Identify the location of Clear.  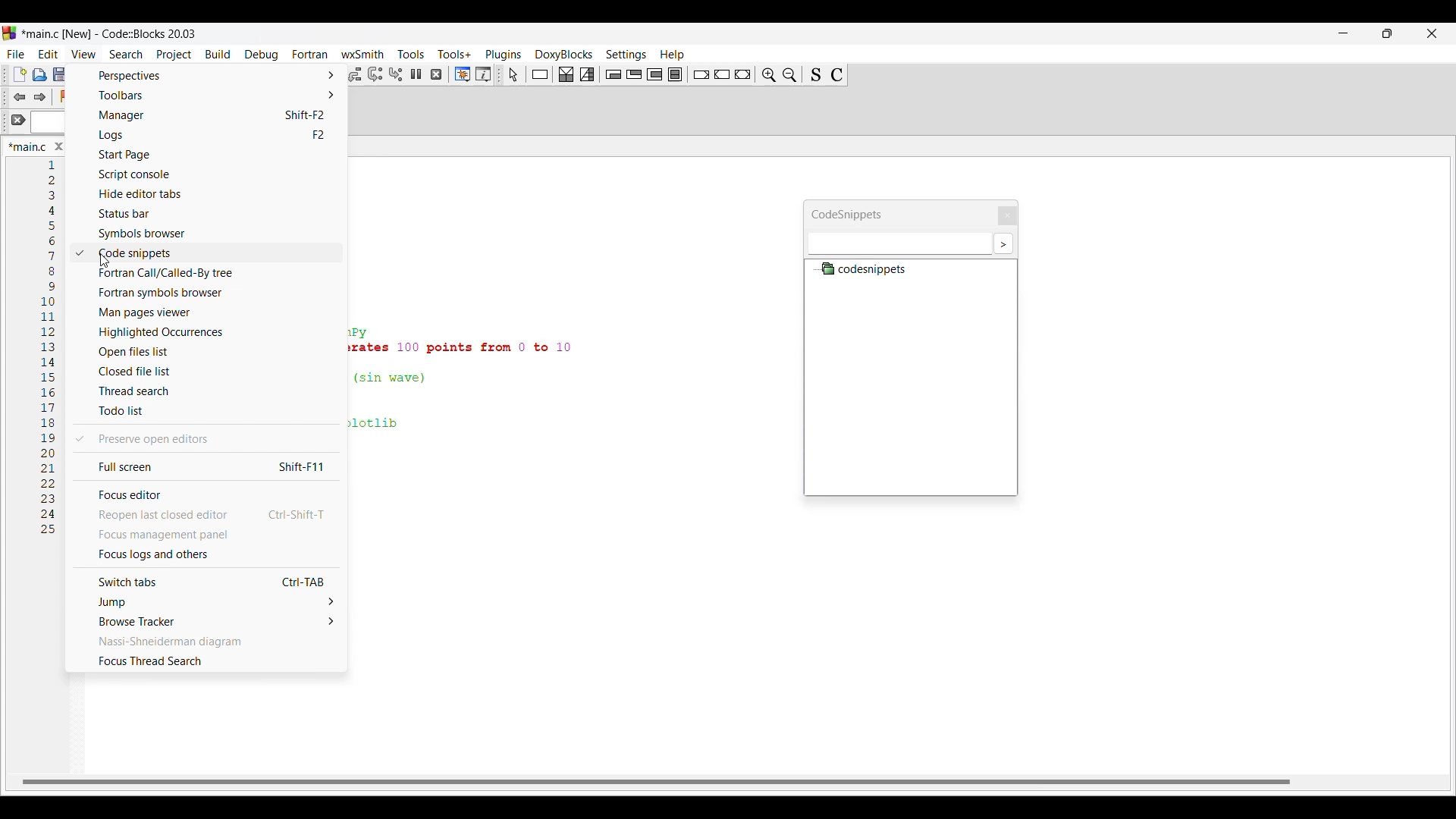
(19, 120).